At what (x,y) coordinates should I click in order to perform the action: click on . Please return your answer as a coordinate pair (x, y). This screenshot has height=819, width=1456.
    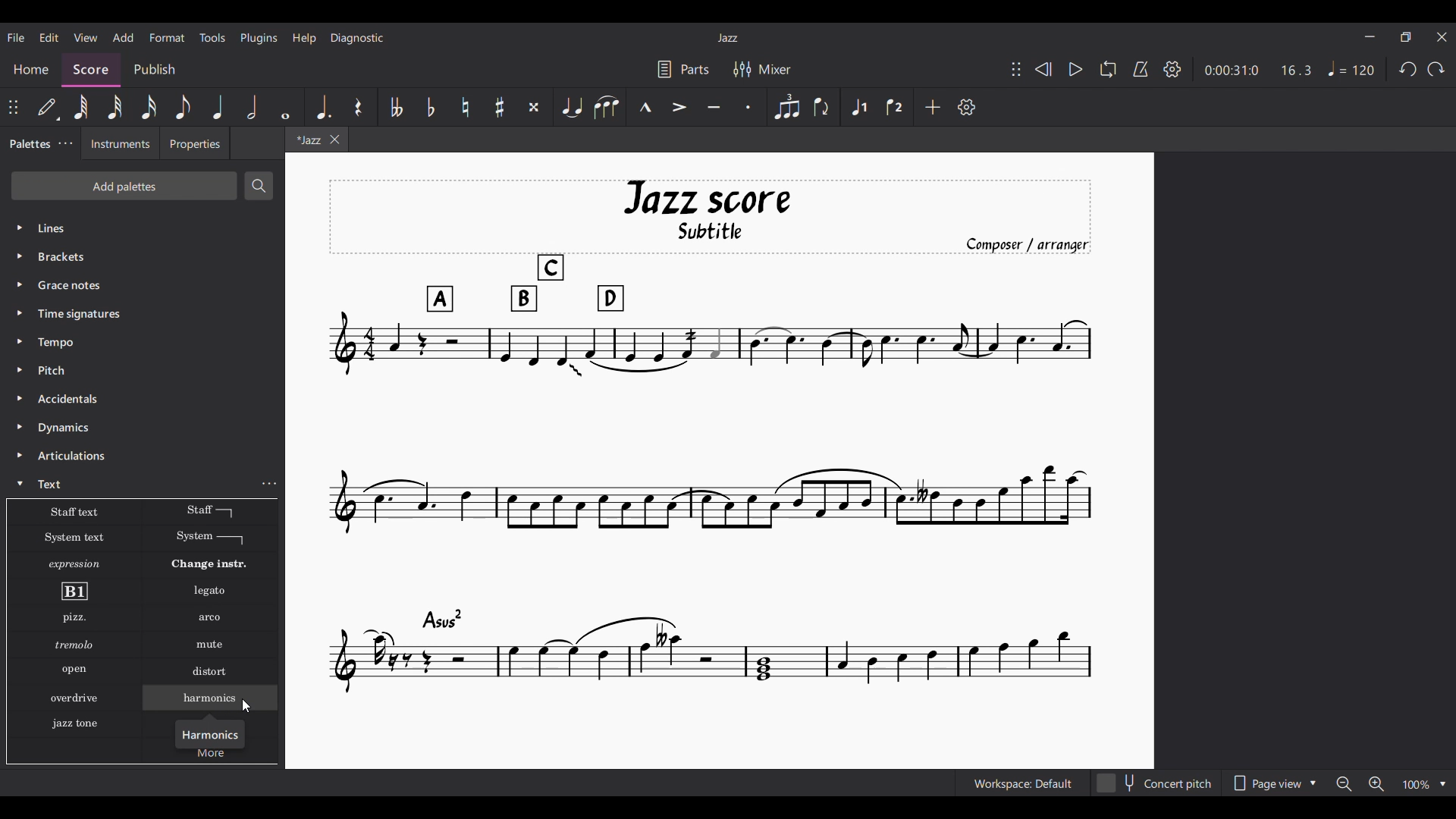
    Looking at the image, I should click on (68, 284).